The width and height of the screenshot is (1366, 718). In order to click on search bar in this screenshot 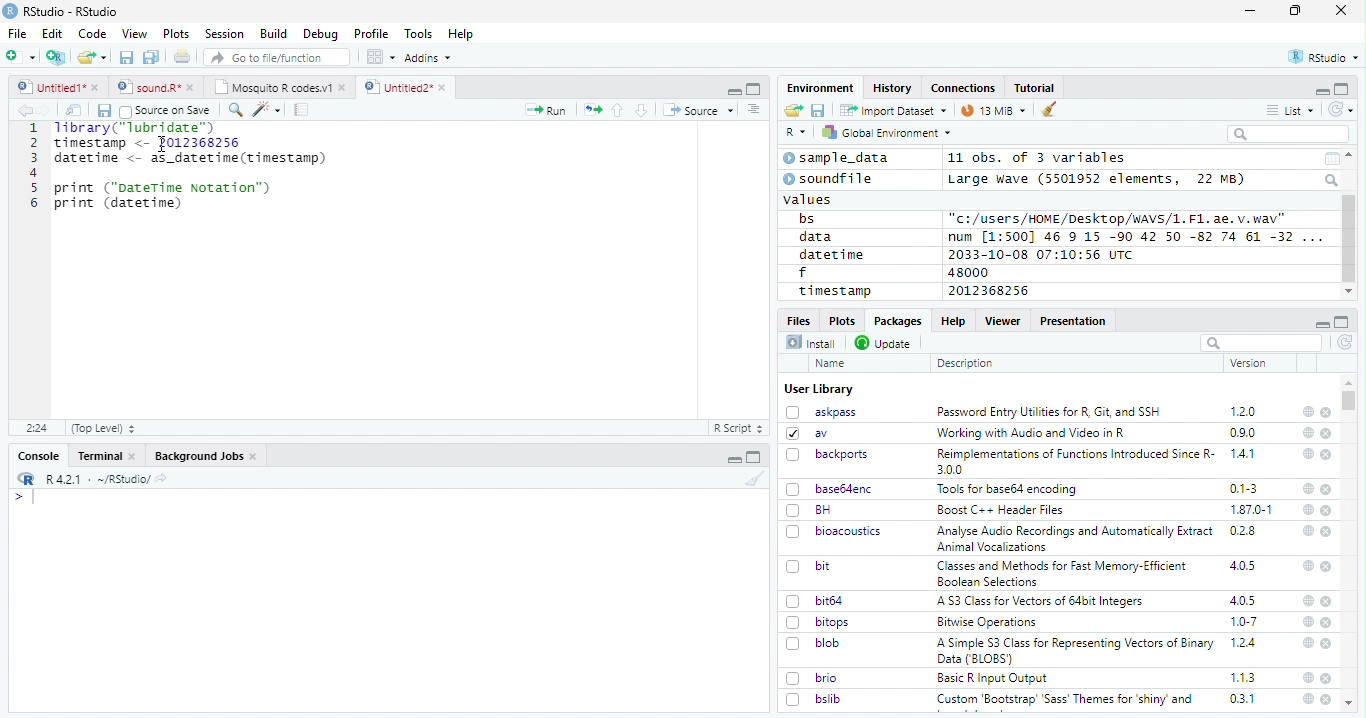, I will do `click(1259, 342)`.